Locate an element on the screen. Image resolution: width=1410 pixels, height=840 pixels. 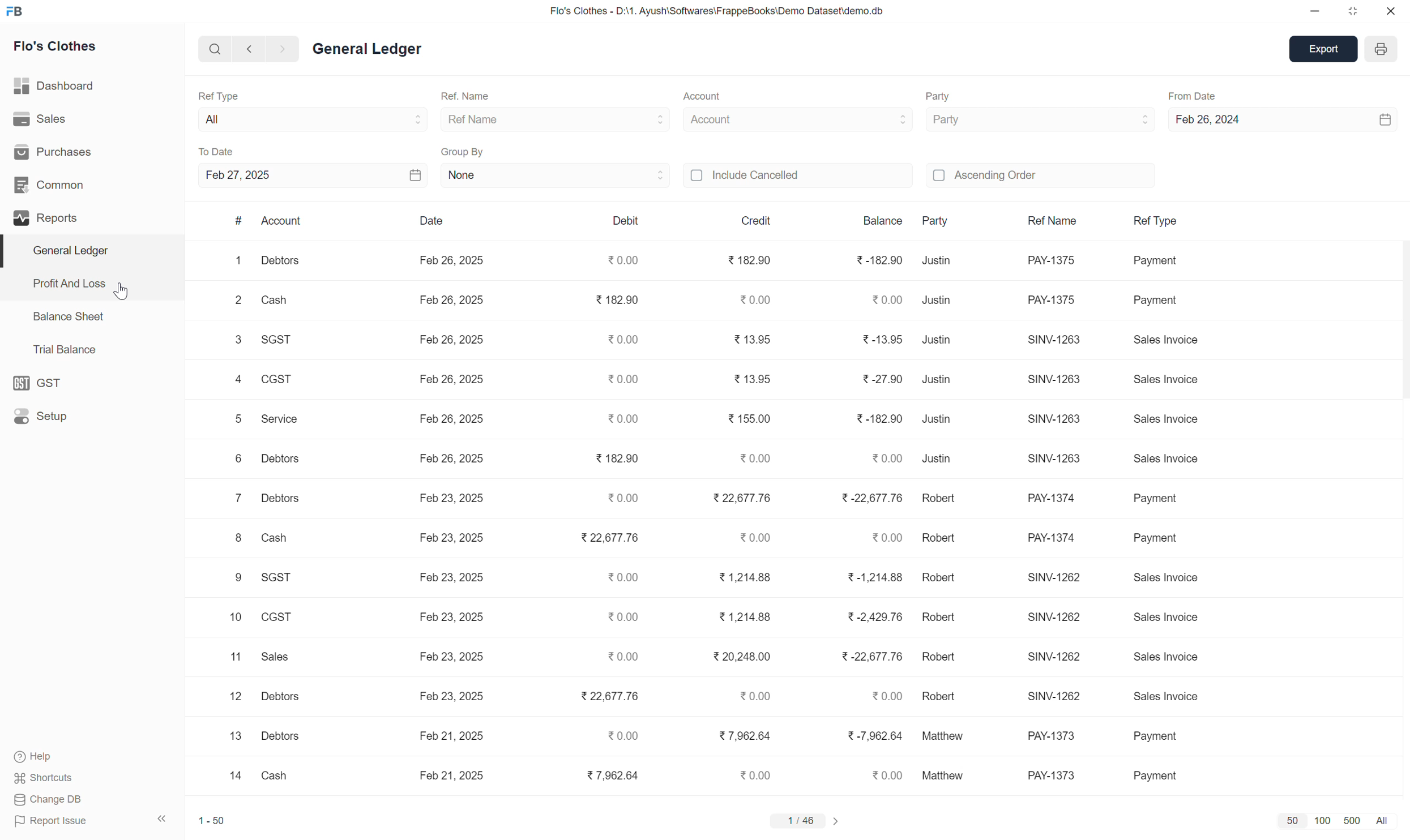
Feb 26, 2025 is located at coordinates (452, 379).